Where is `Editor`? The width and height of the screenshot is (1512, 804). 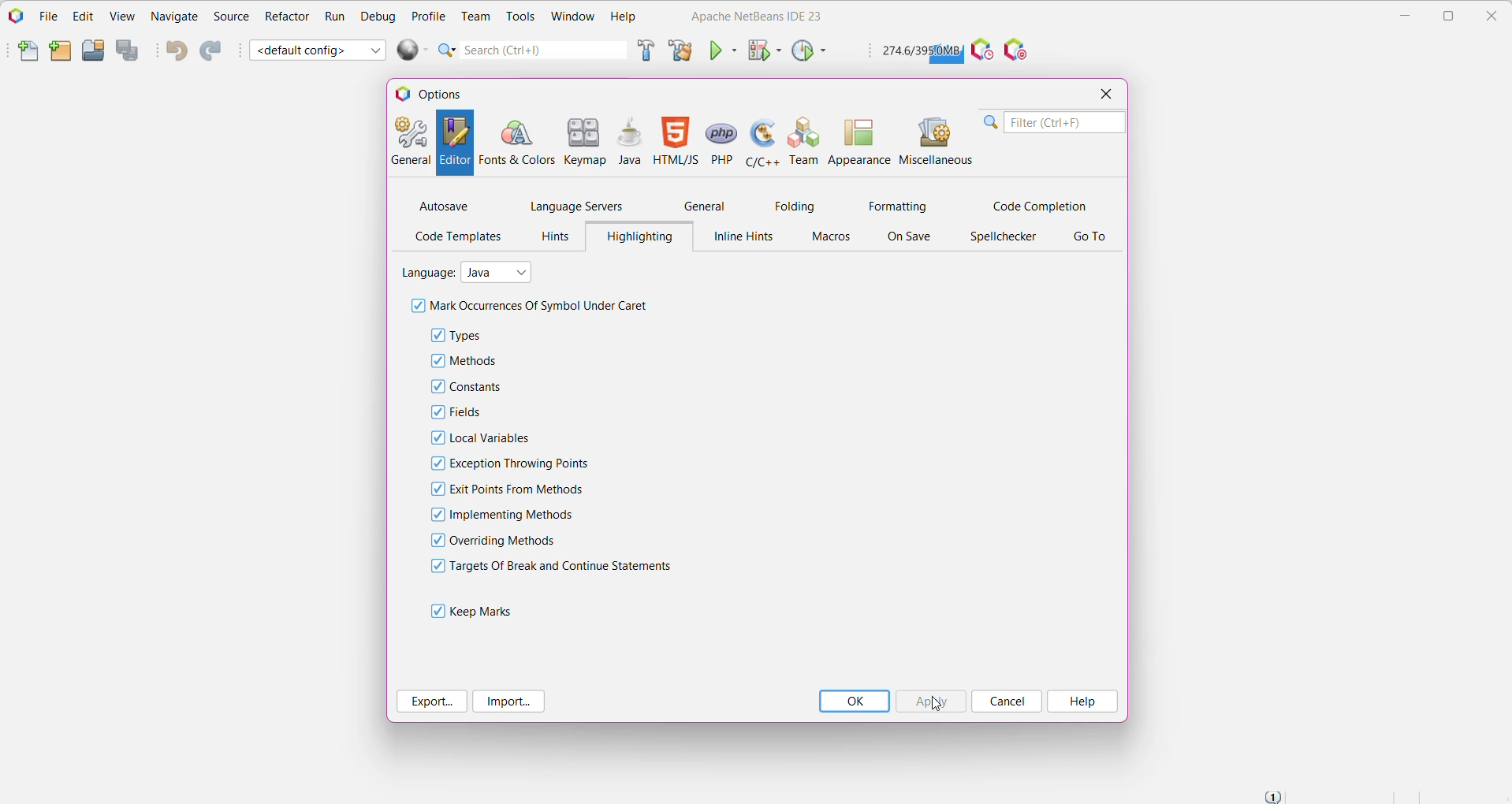 Editor is located at coordinates (456, 143).